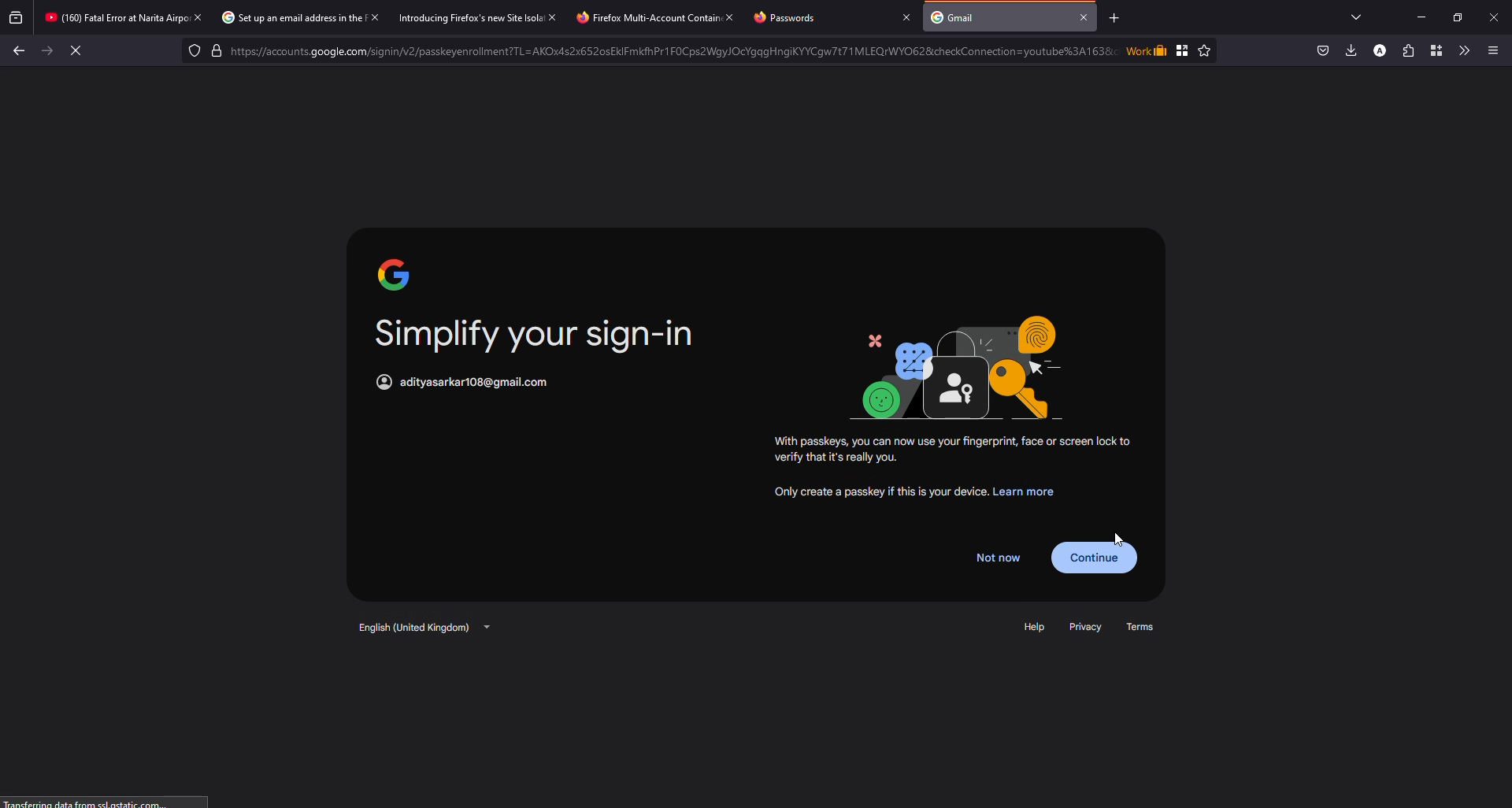 The width and height of the screenshot is (1512, 808). I want to click on Only create a passkey if this is your device. Learn more, so click(920, 495).